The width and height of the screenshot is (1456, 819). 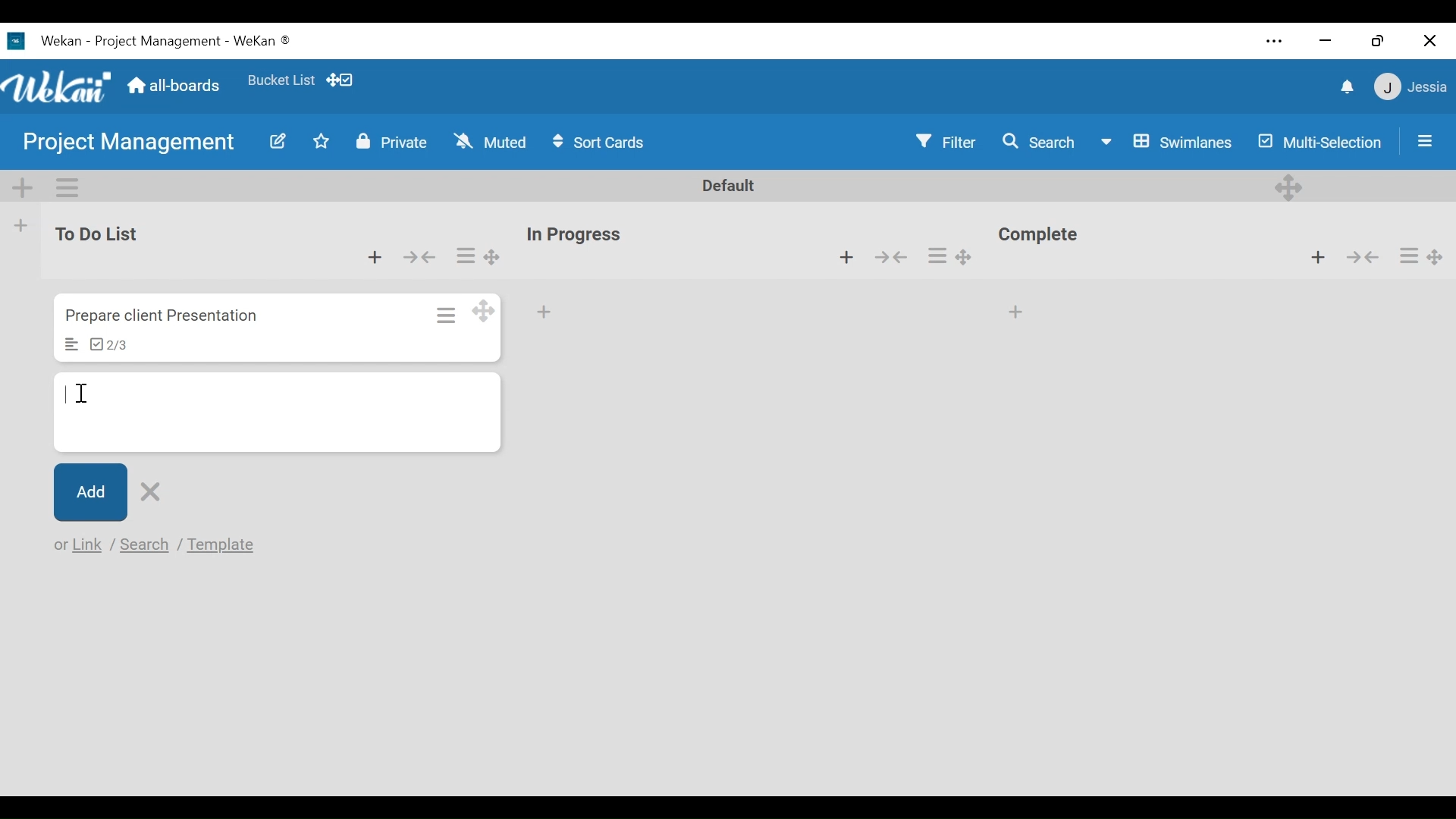 What do you see at coordinates (102, 234) in the screenshot?
I see `to do list` at bounding box center [102, 234].